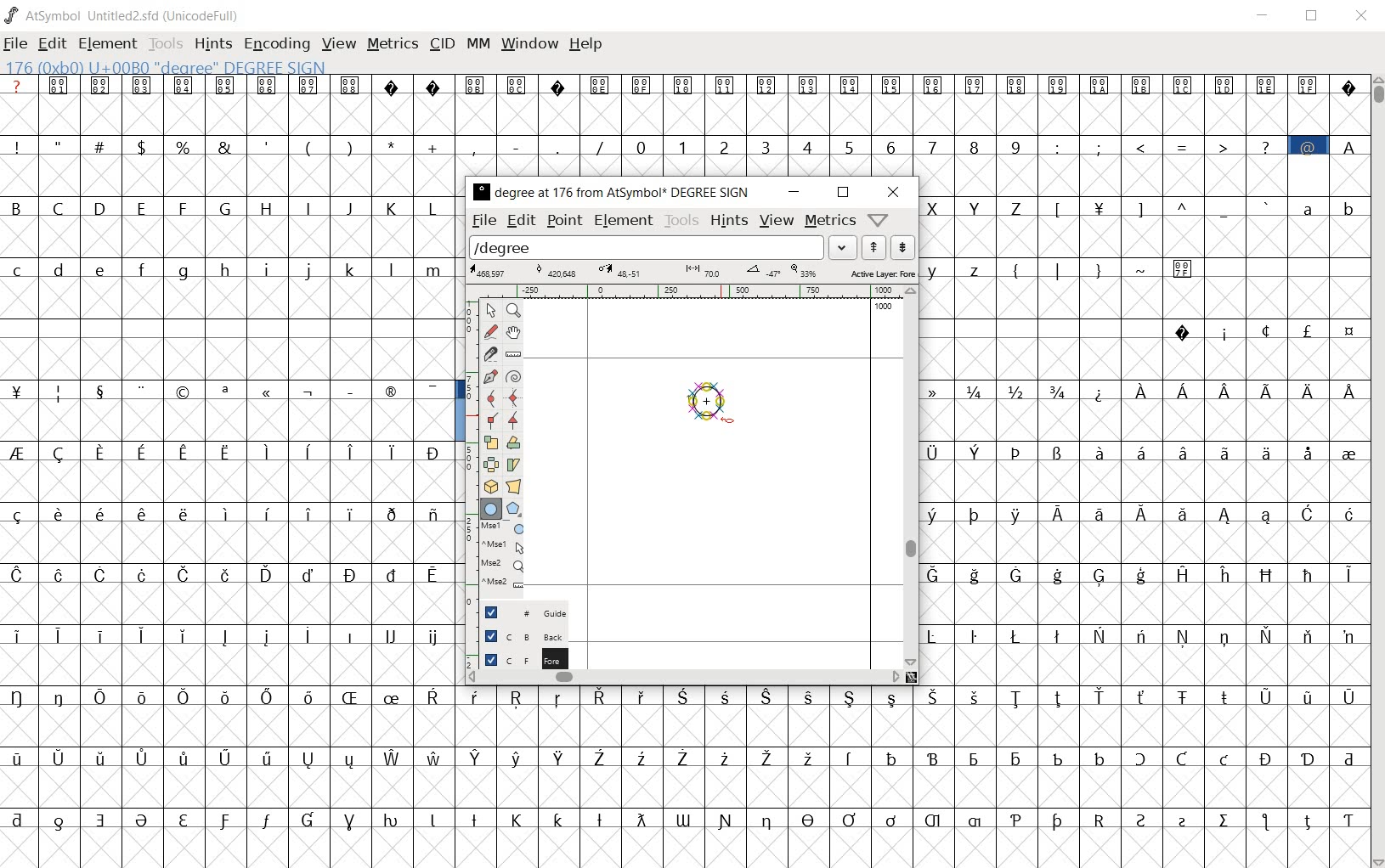 The image size is (1385, 868). Describe the element at coordinates (1263, 15) in the screenshot. I see `minimize` at that location.